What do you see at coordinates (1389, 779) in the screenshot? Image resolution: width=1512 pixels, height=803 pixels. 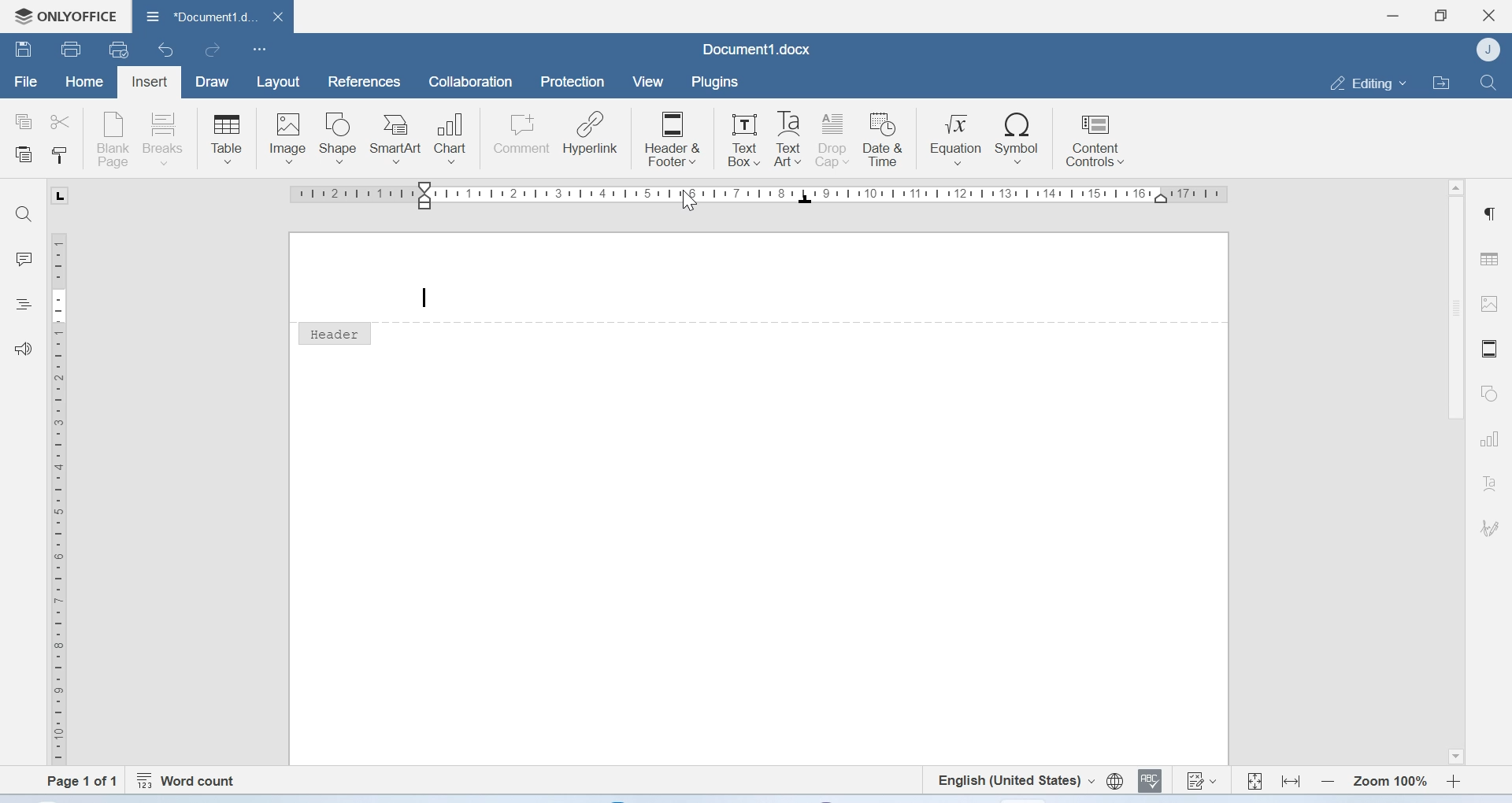 I see `Zoom` at bounding box center [1389, 779].